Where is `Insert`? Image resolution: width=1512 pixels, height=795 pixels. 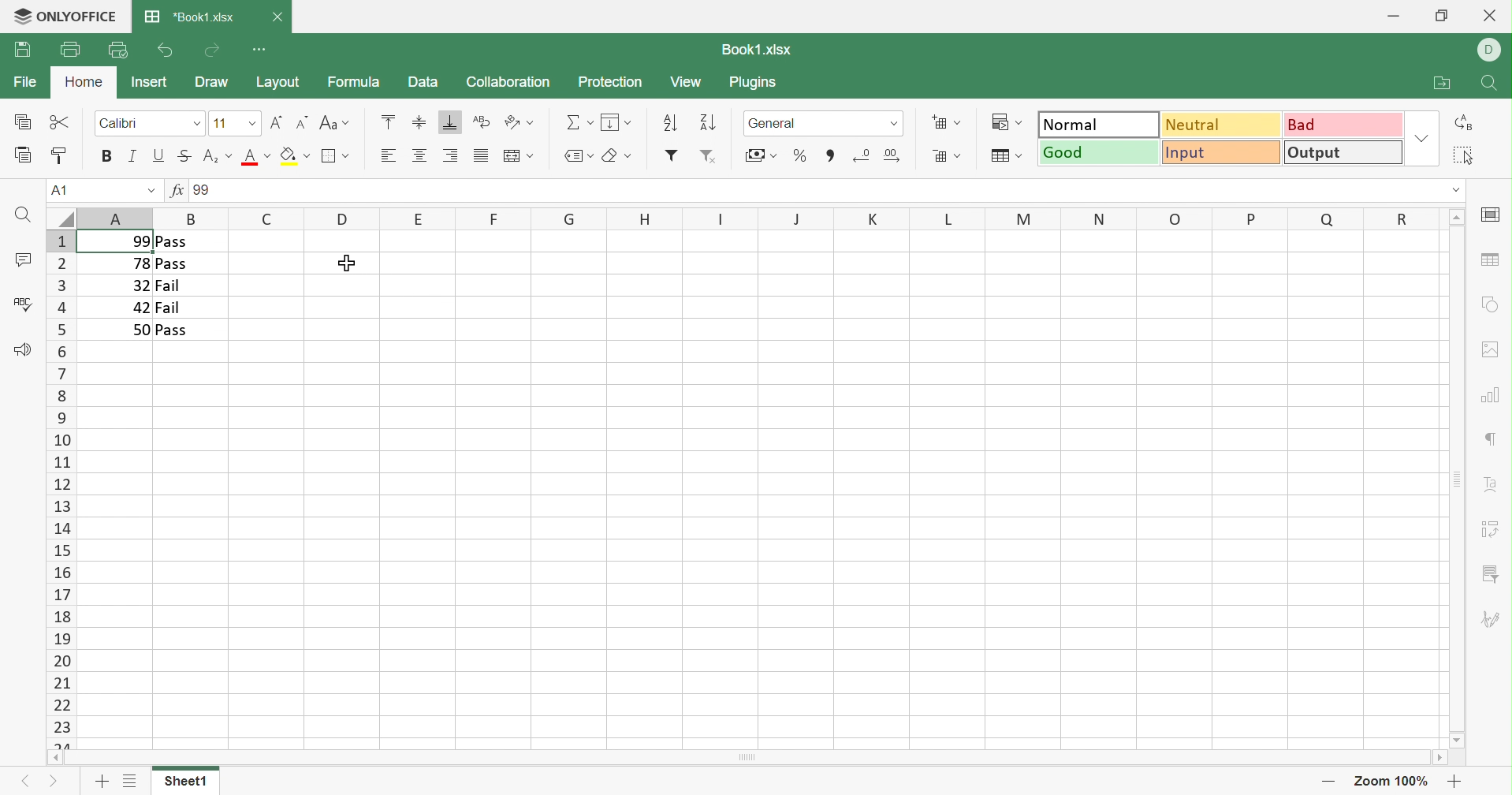
Insert is located at coordinates (148, 81).